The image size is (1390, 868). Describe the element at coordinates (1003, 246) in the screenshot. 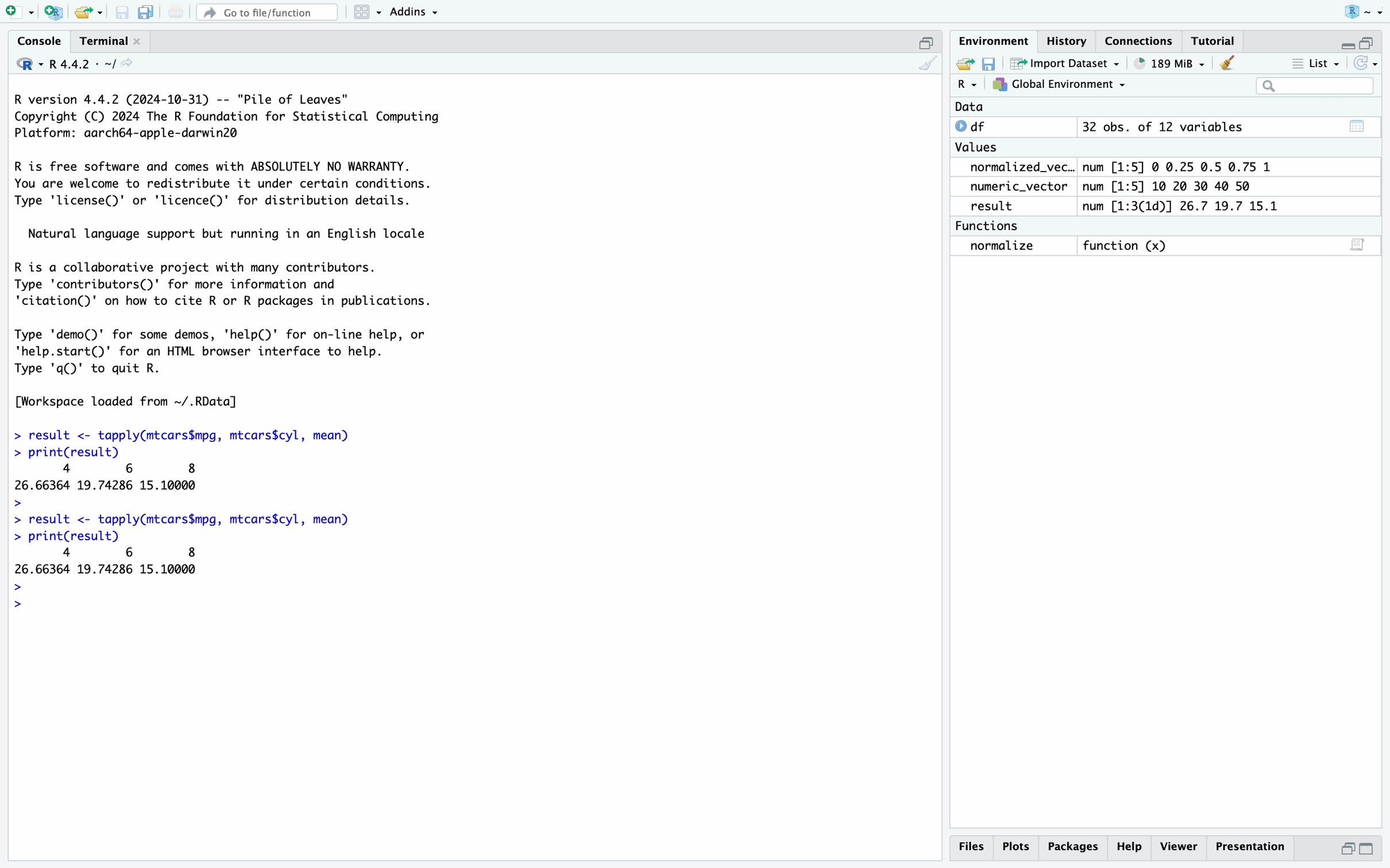

I see `normalize` at that location.